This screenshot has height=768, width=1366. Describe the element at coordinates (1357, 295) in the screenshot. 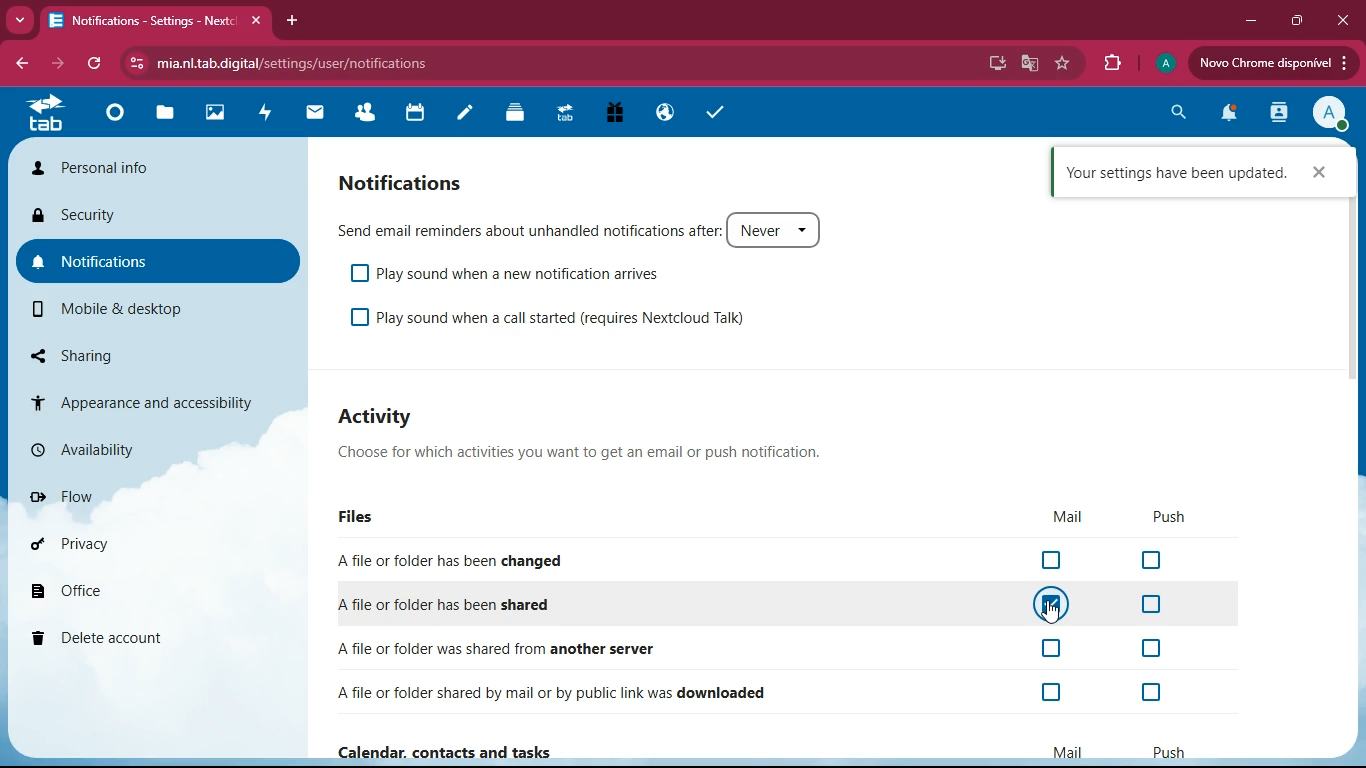

I see `scrollbar` at that location.